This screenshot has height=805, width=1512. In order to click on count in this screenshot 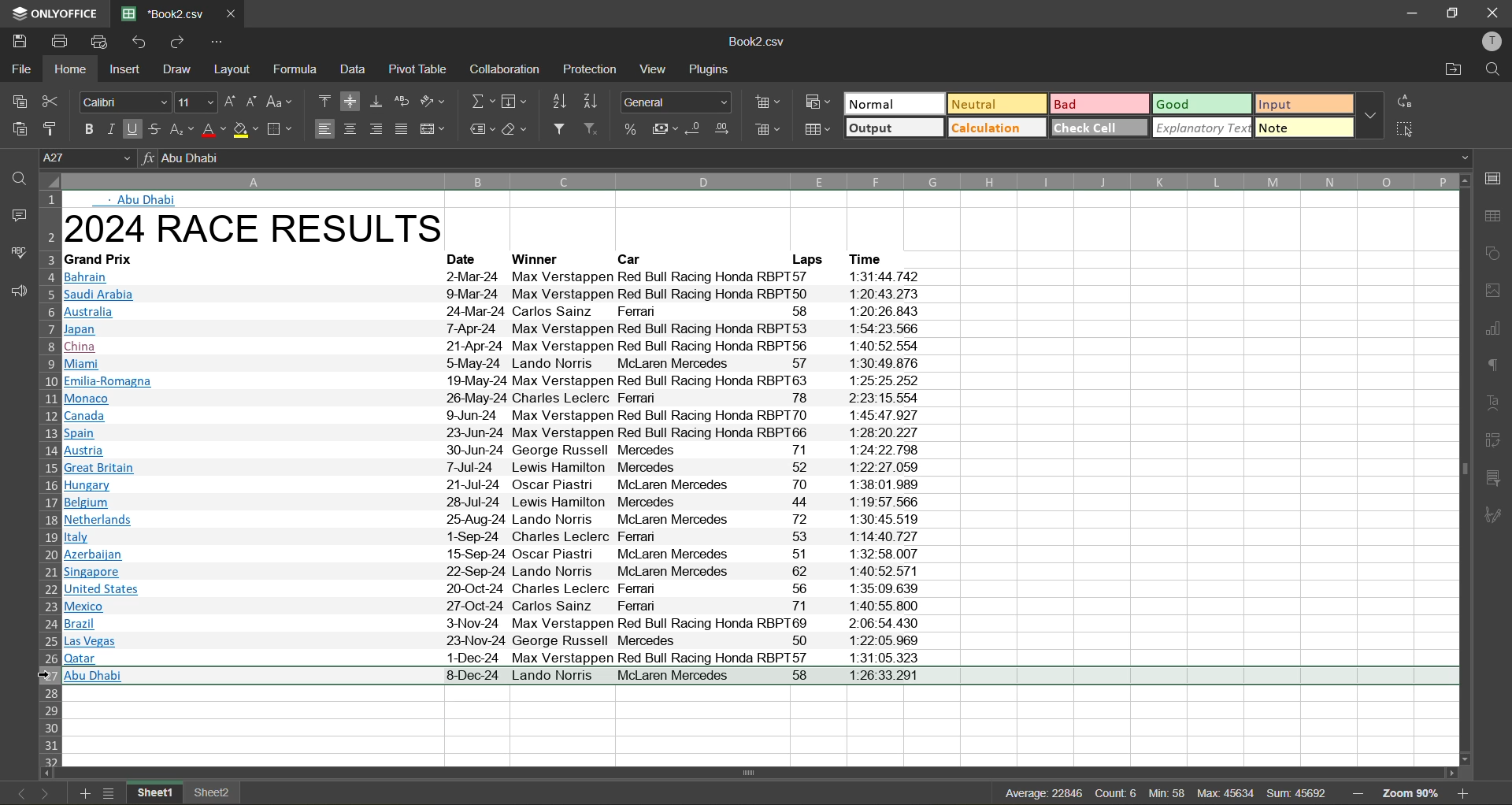, I will do `click(1114, 793)`.